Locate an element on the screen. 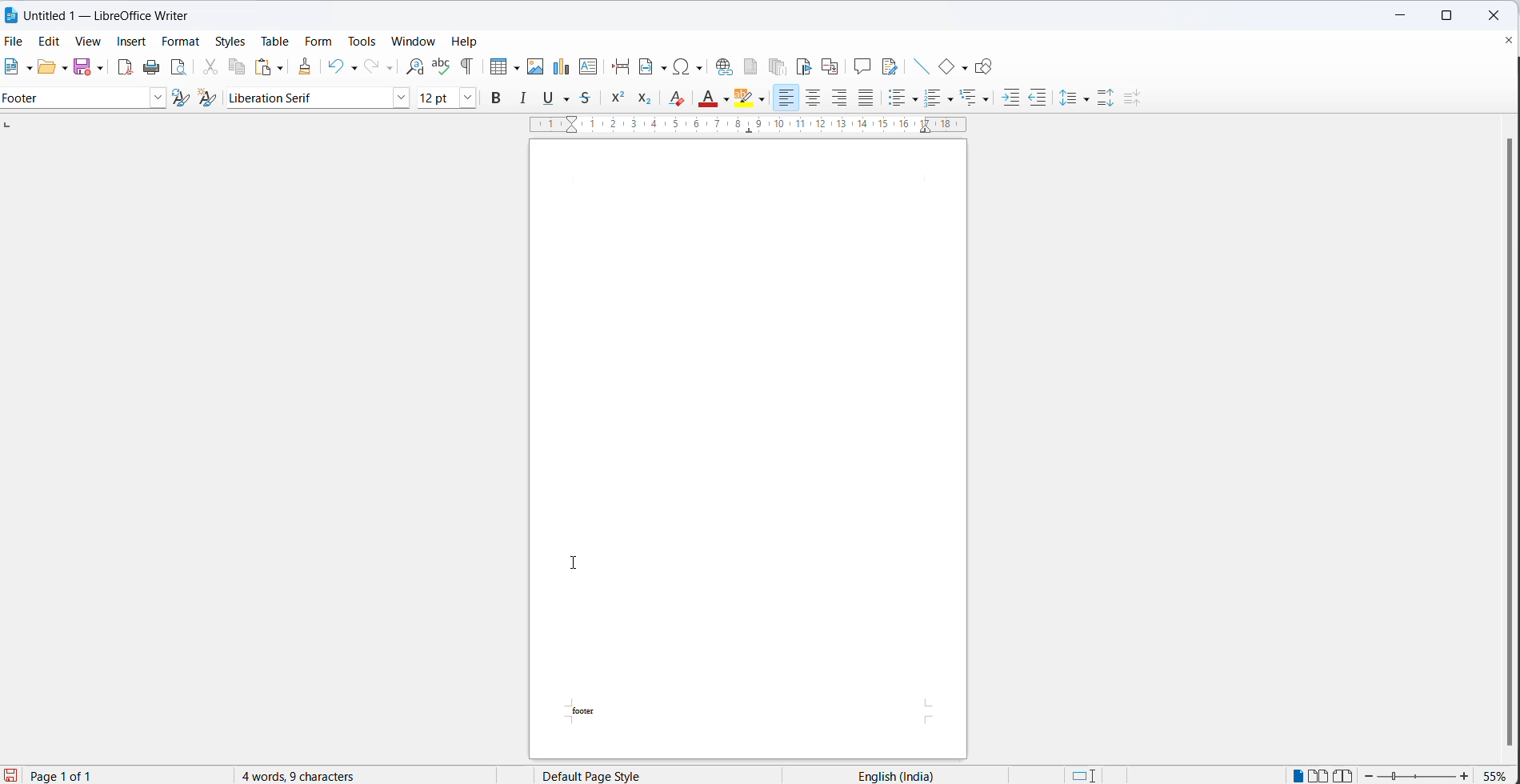 The image size is (1520, 784). LibreOffice Icon is located at coordinates (11, 14).